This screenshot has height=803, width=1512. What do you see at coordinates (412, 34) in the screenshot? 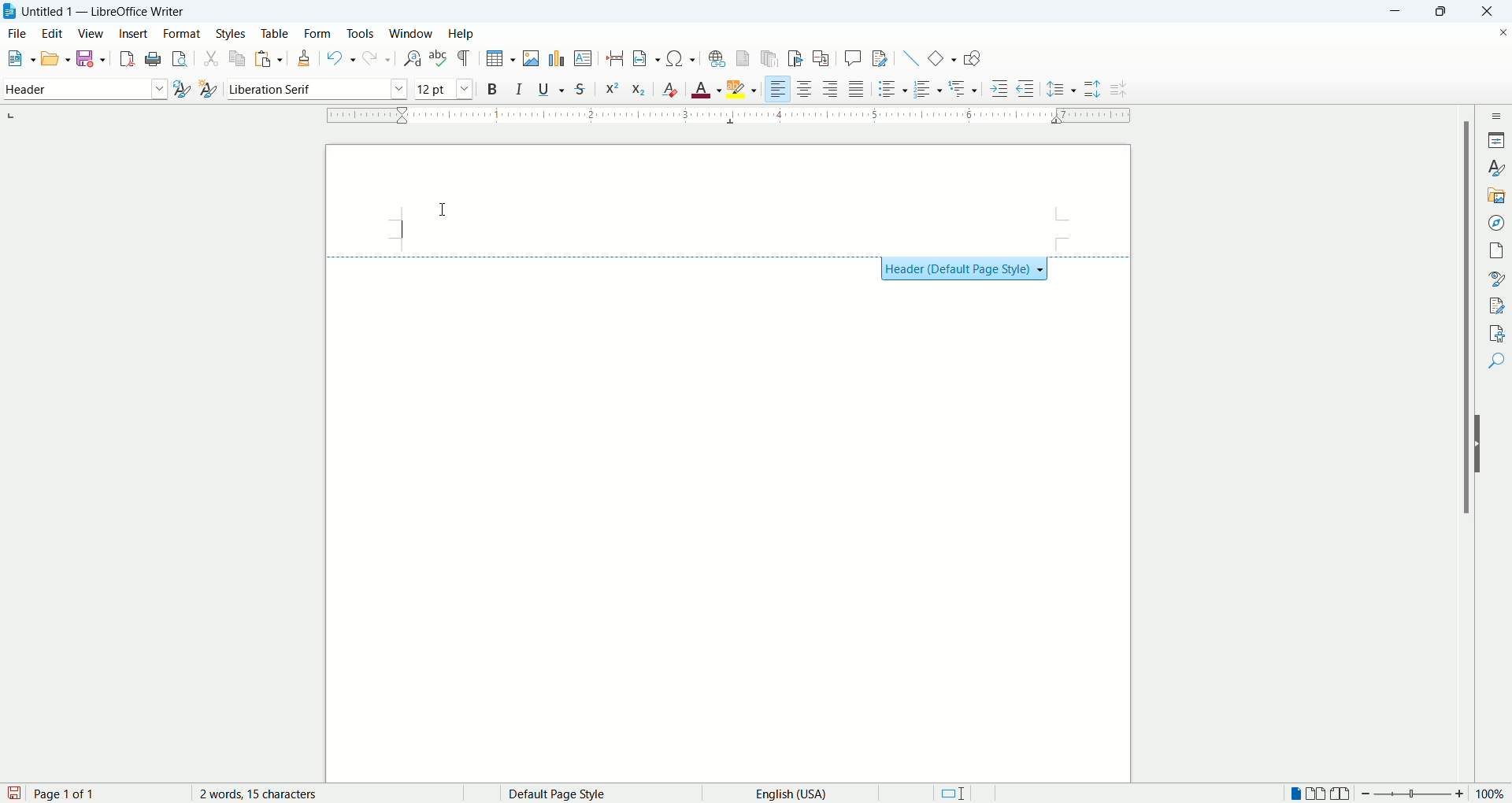
I see `window` at bounding box center [412, 34].